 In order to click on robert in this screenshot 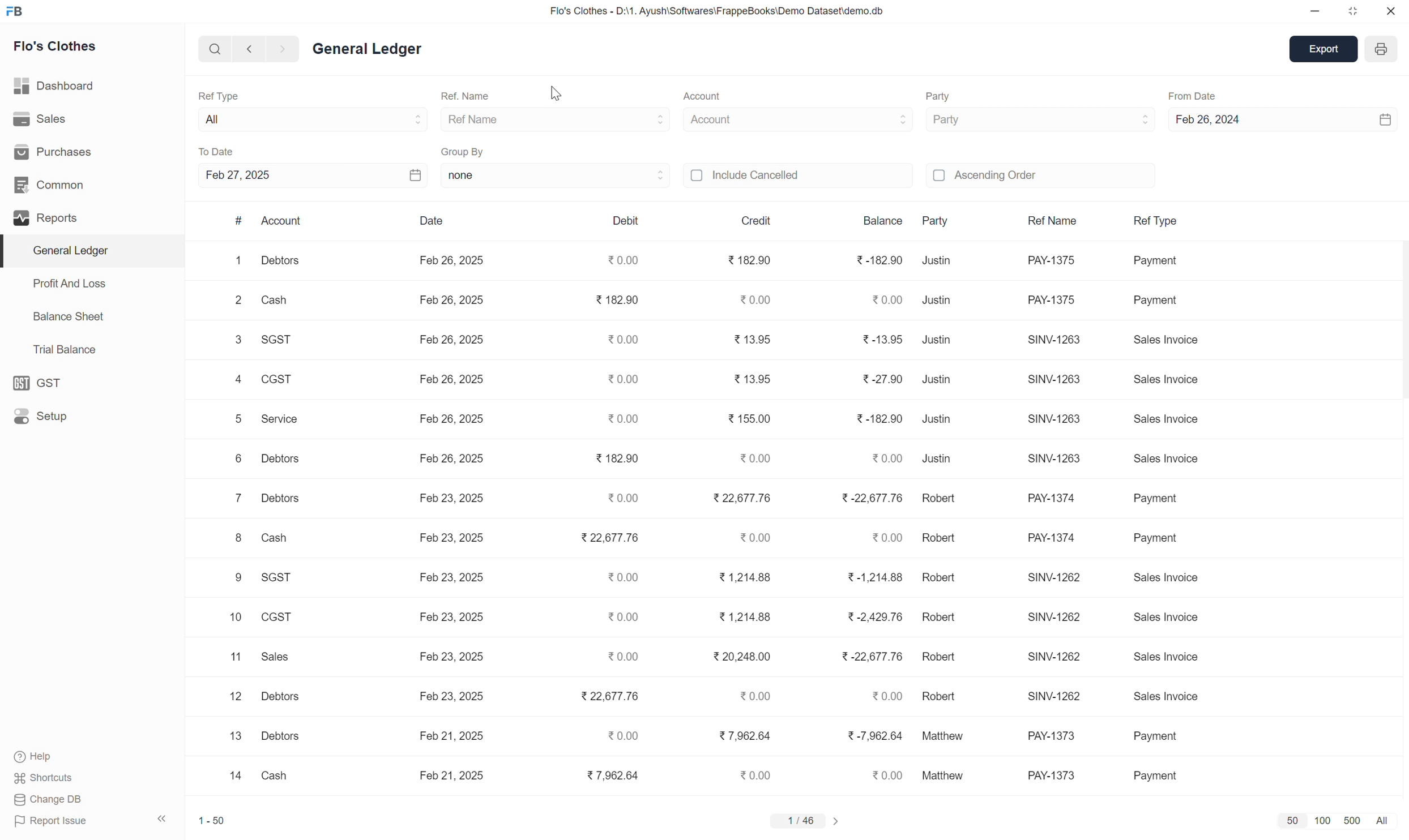, I will do `click(940, 578)`.